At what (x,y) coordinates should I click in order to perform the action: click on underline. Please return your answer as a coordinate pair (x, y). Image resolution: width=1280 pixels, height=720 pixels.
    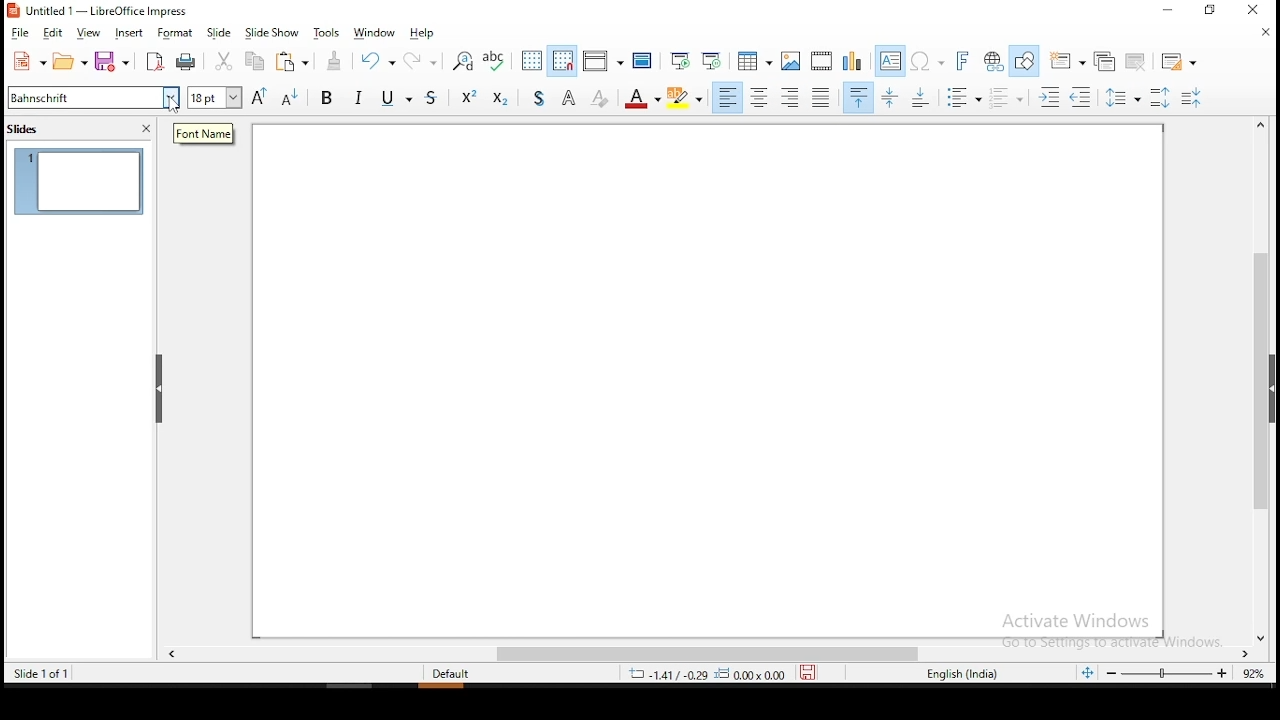
    Looking at the image, I should click on (400, 99).